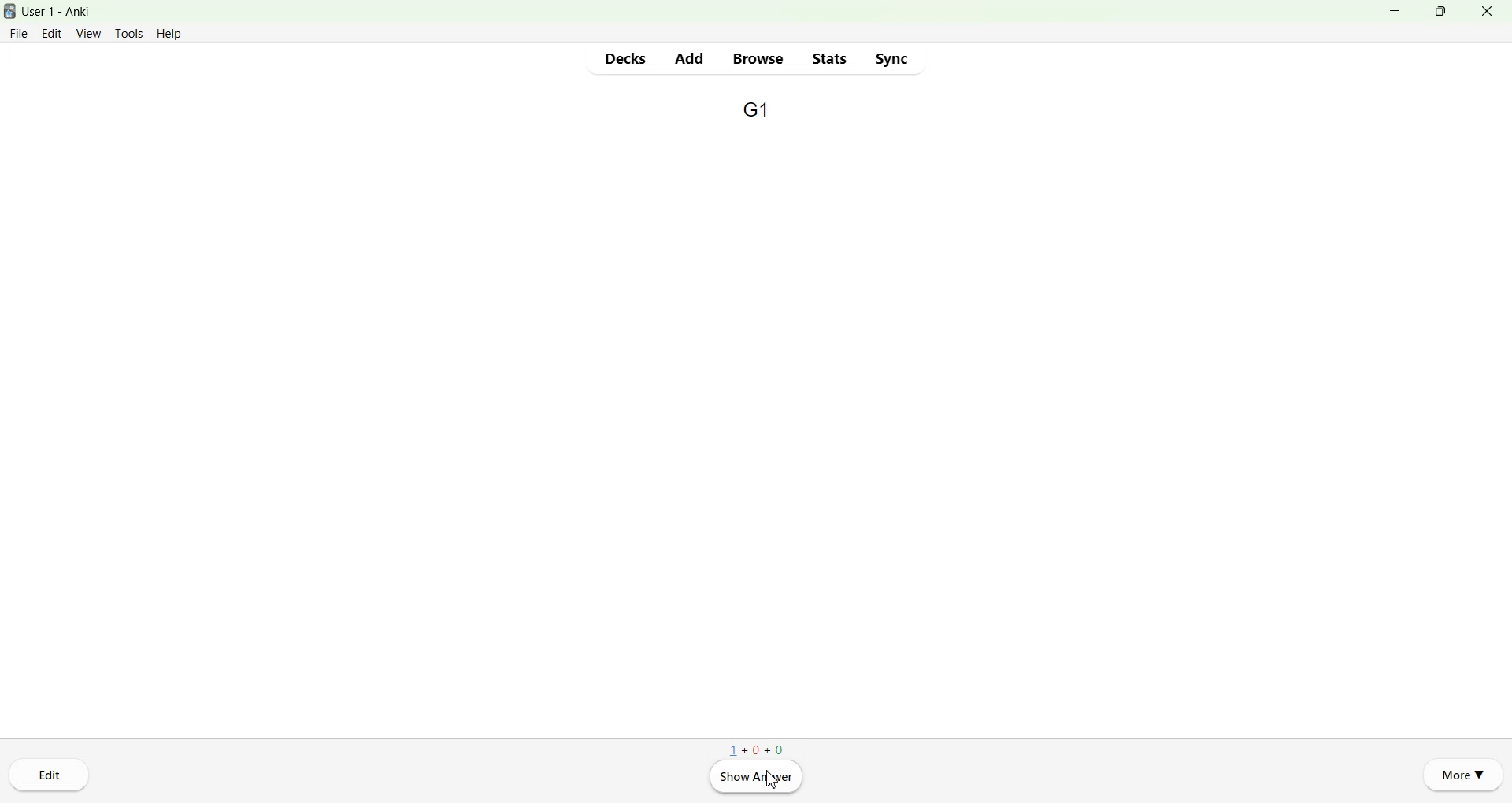 Image resolution: width=1512 pixels, height=803 pixels. Describe the element at coordinates (688, 58) in the screenshot. I see `Add` at that location.